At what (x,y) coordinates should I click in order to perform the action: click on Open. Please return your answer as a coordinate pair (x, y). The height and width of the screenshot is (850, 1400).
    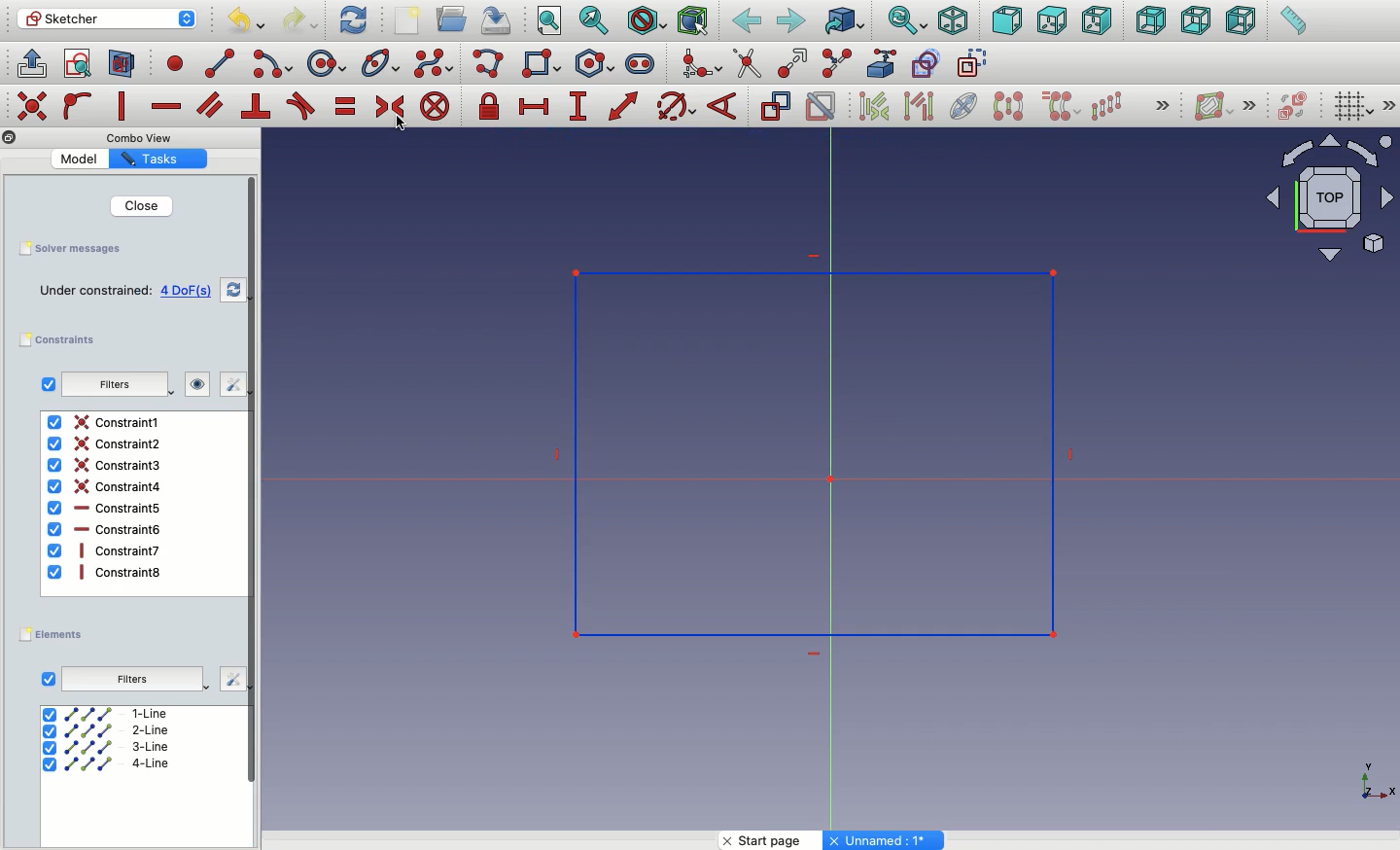
    Looking at the image, I should click on (454, 19).